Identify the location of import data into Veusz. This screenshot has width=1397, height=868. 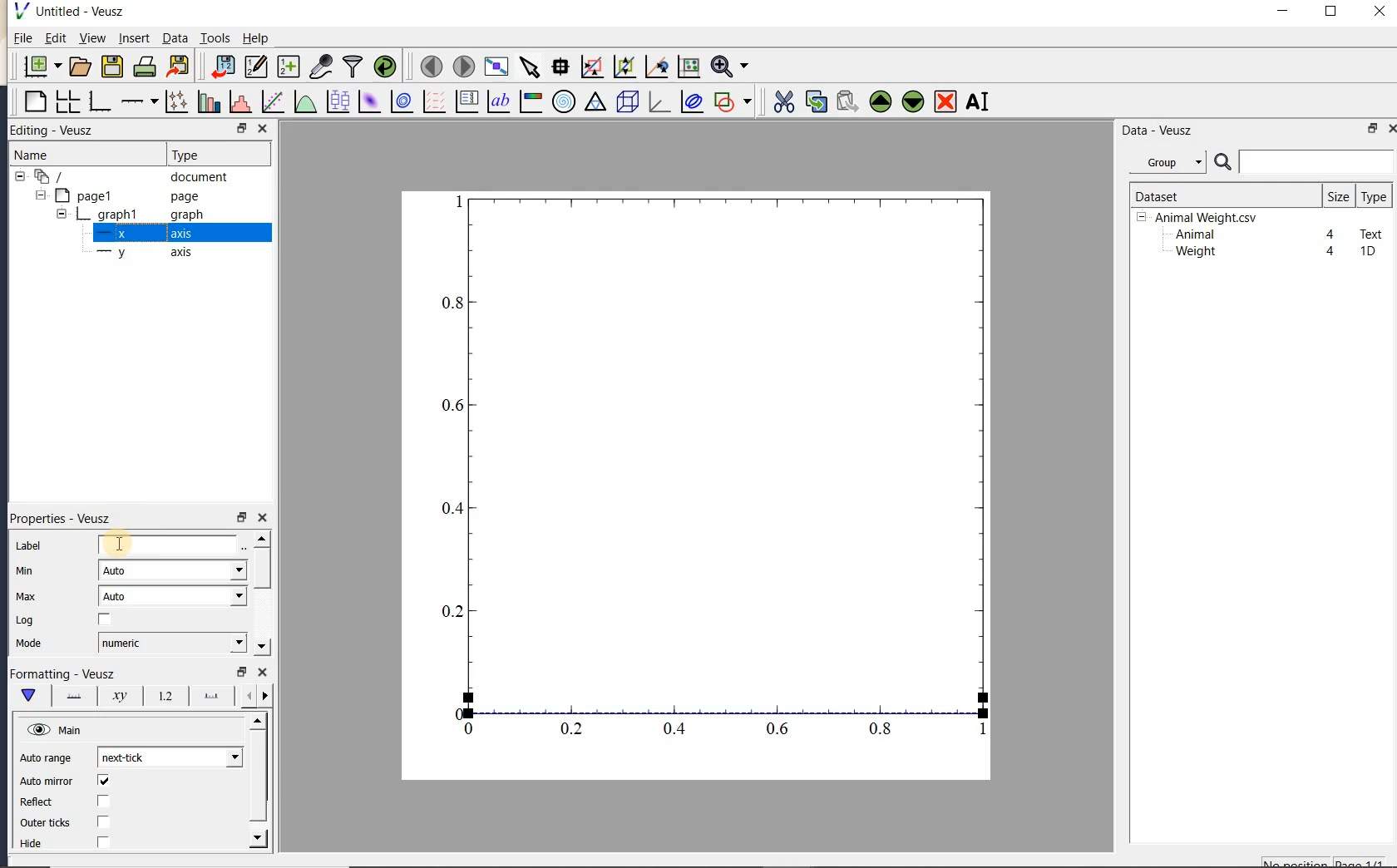
(223, 67).